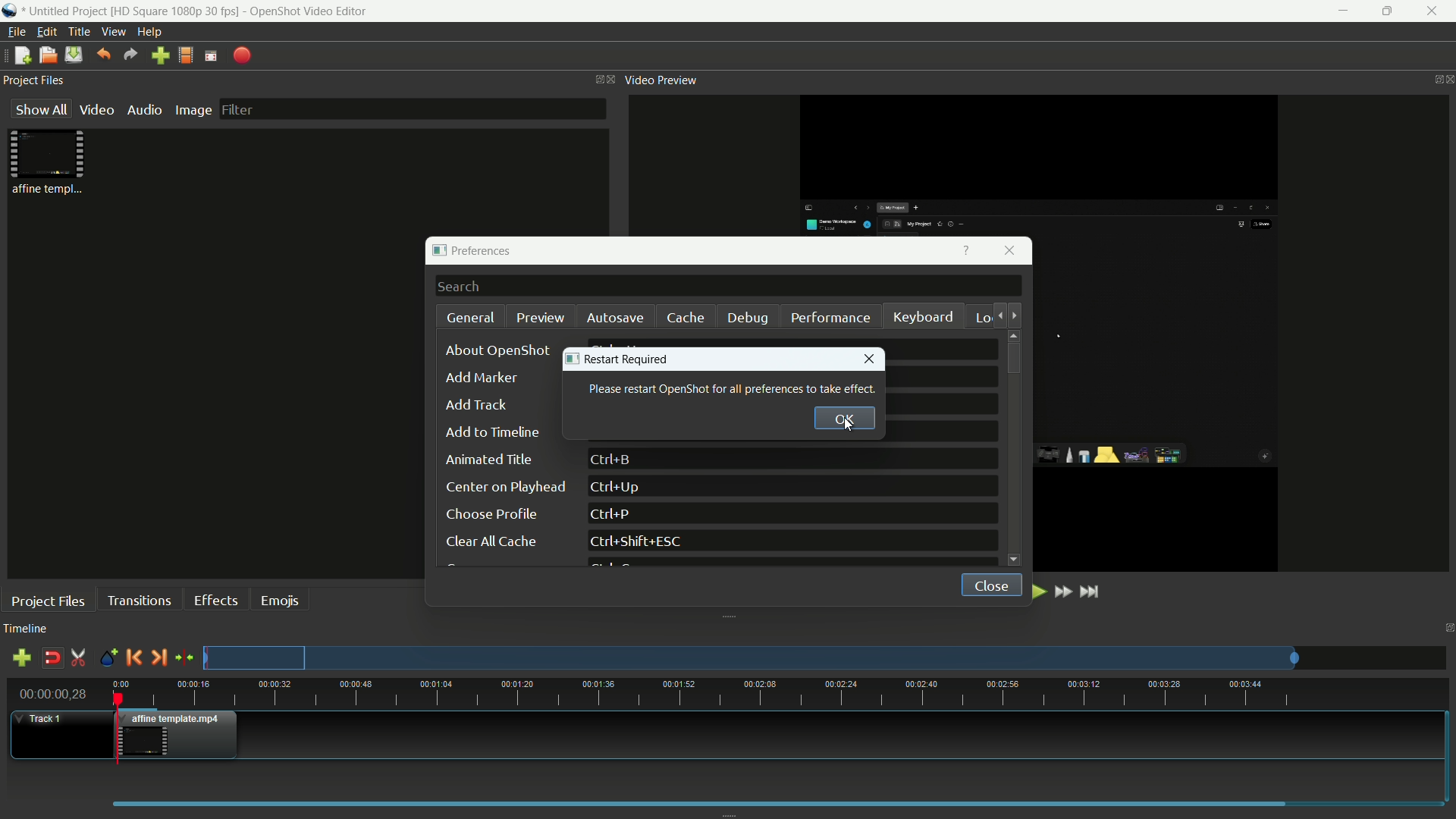 This screenshot has height=819, width=1456. I want to click on previous marker, so click(133, 657).